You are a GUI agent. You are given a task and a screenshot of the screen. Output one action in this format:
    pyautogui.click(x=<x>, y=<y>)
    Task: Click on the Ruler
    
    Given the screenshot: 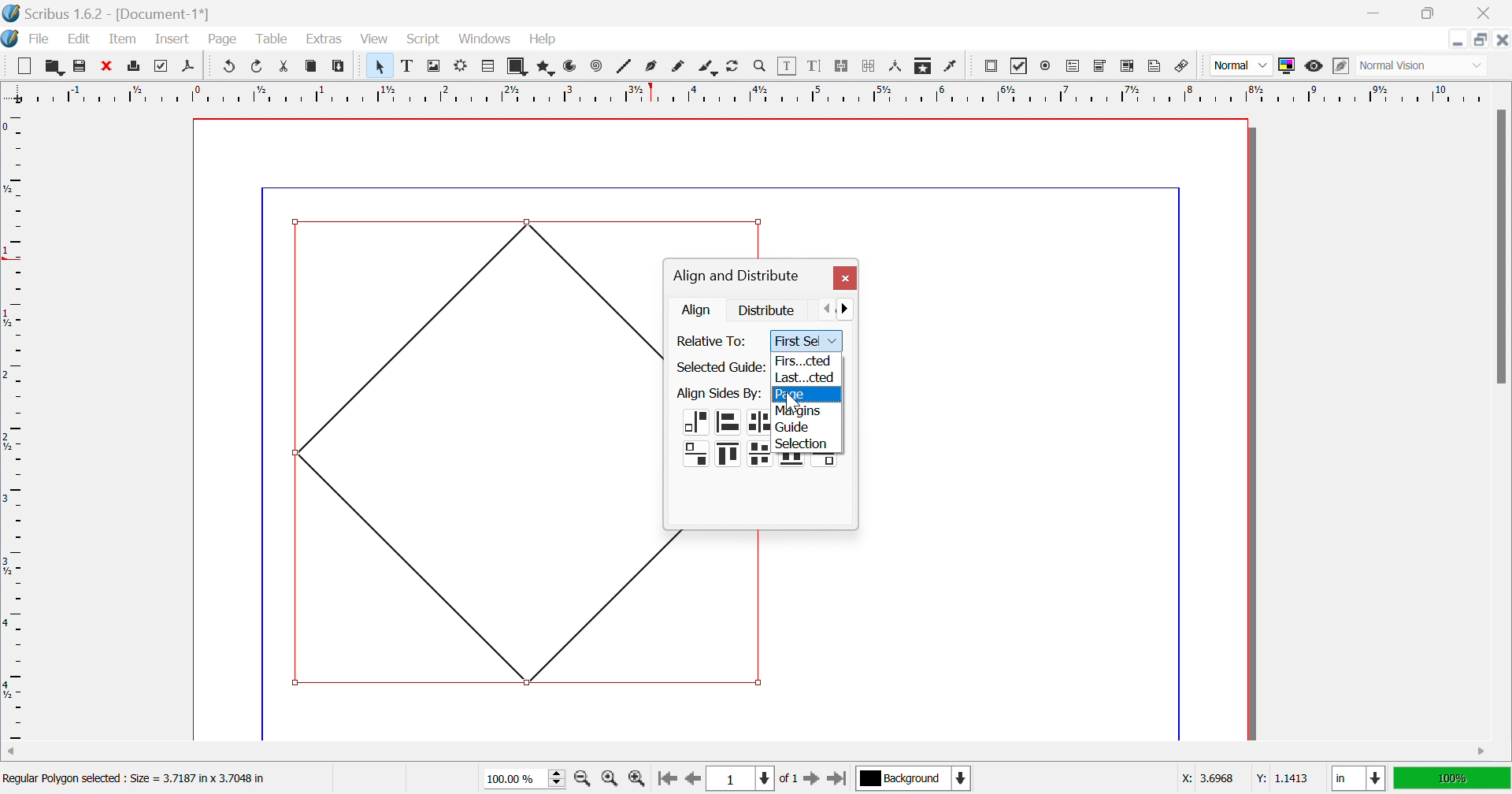 What is the action you would take?
    pyautogui.click(x=14, y=425)
    